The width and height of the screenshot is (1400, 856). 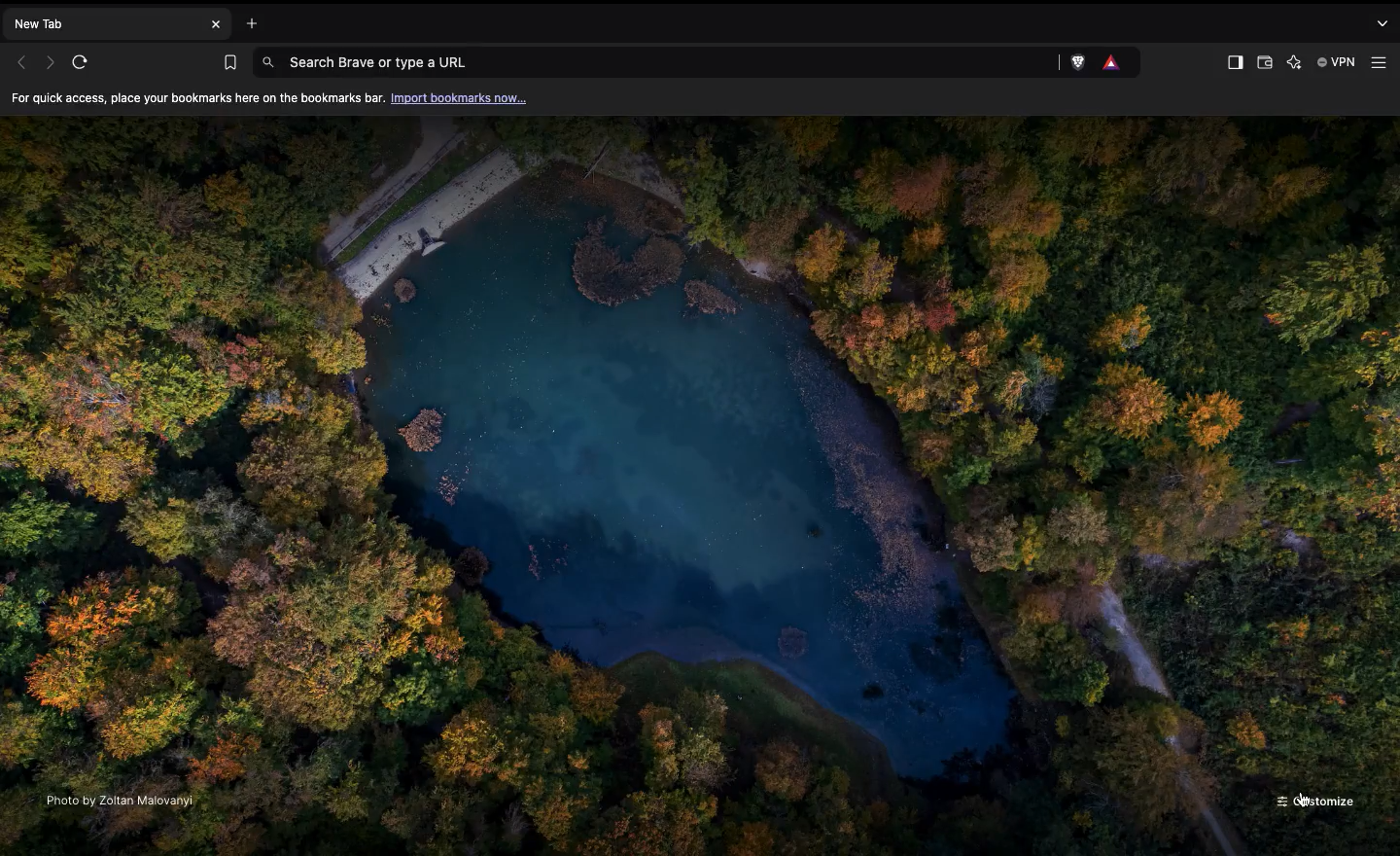 I want to click on Customize, so click(x=1316, y=800).